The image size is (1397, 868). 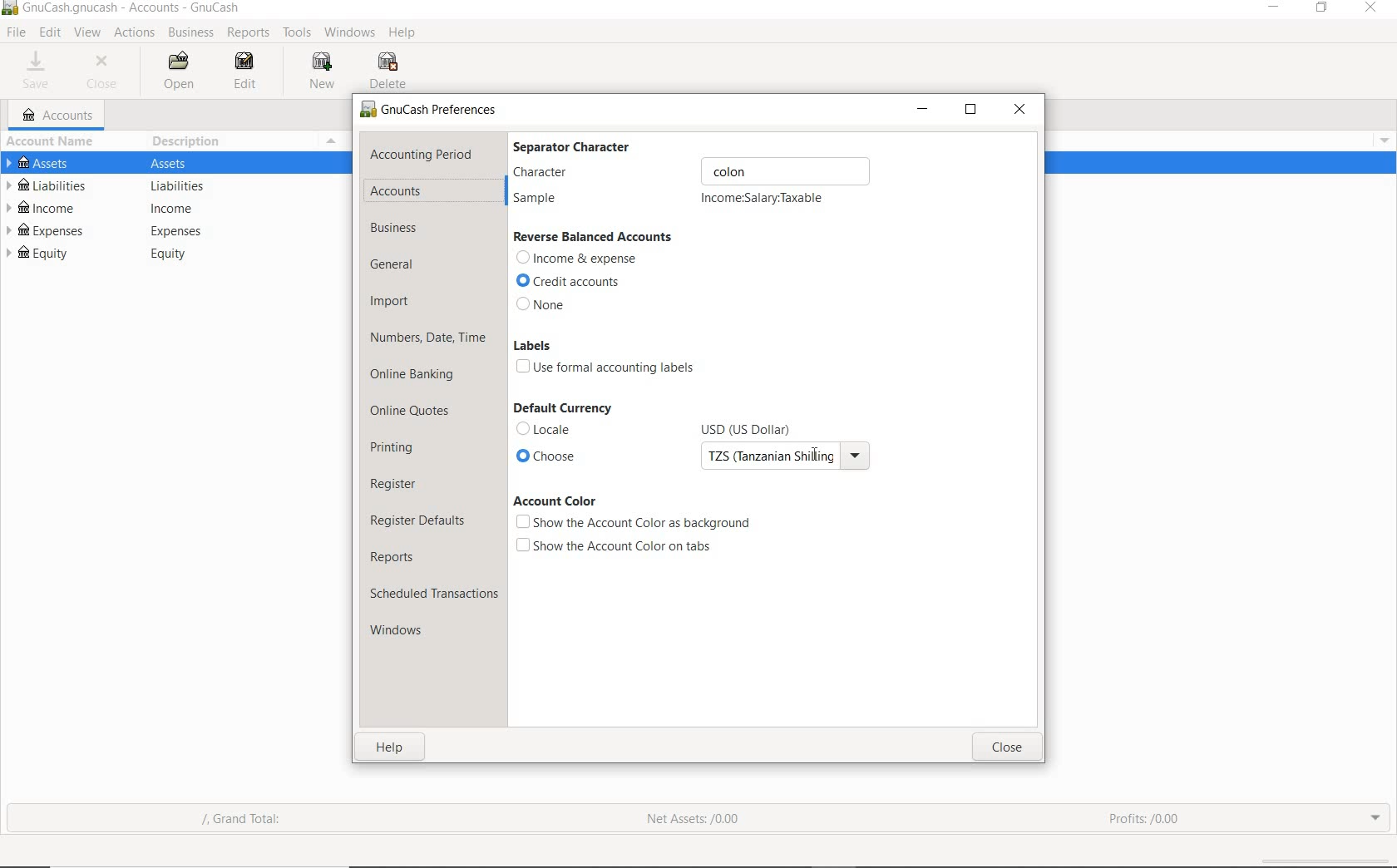 I want to click on REPORTS, so click(x=249, y=33).